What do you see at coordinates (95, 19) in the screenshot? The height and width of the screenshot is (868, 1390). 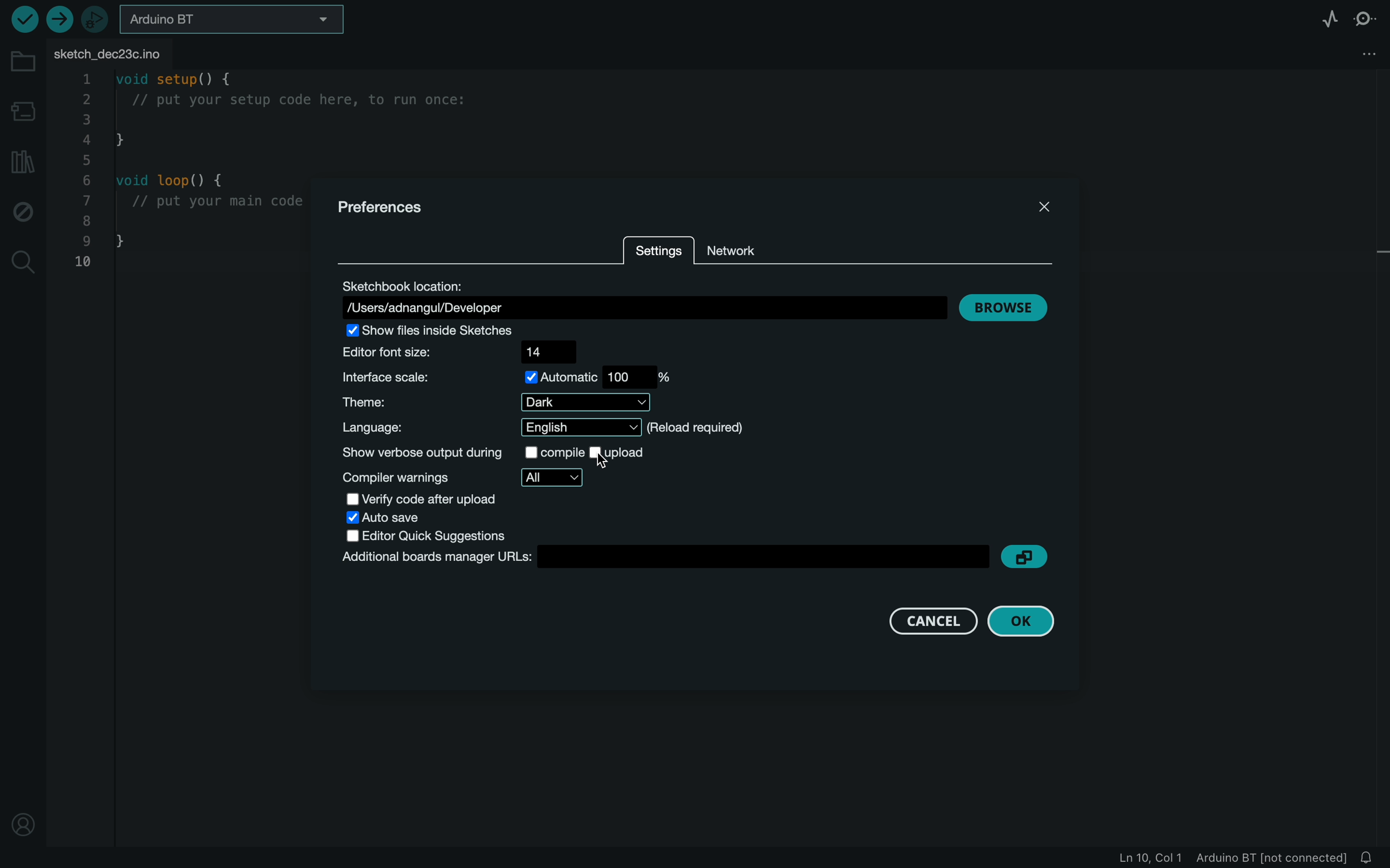 I see `debugger` at bounding box center [95, 19].